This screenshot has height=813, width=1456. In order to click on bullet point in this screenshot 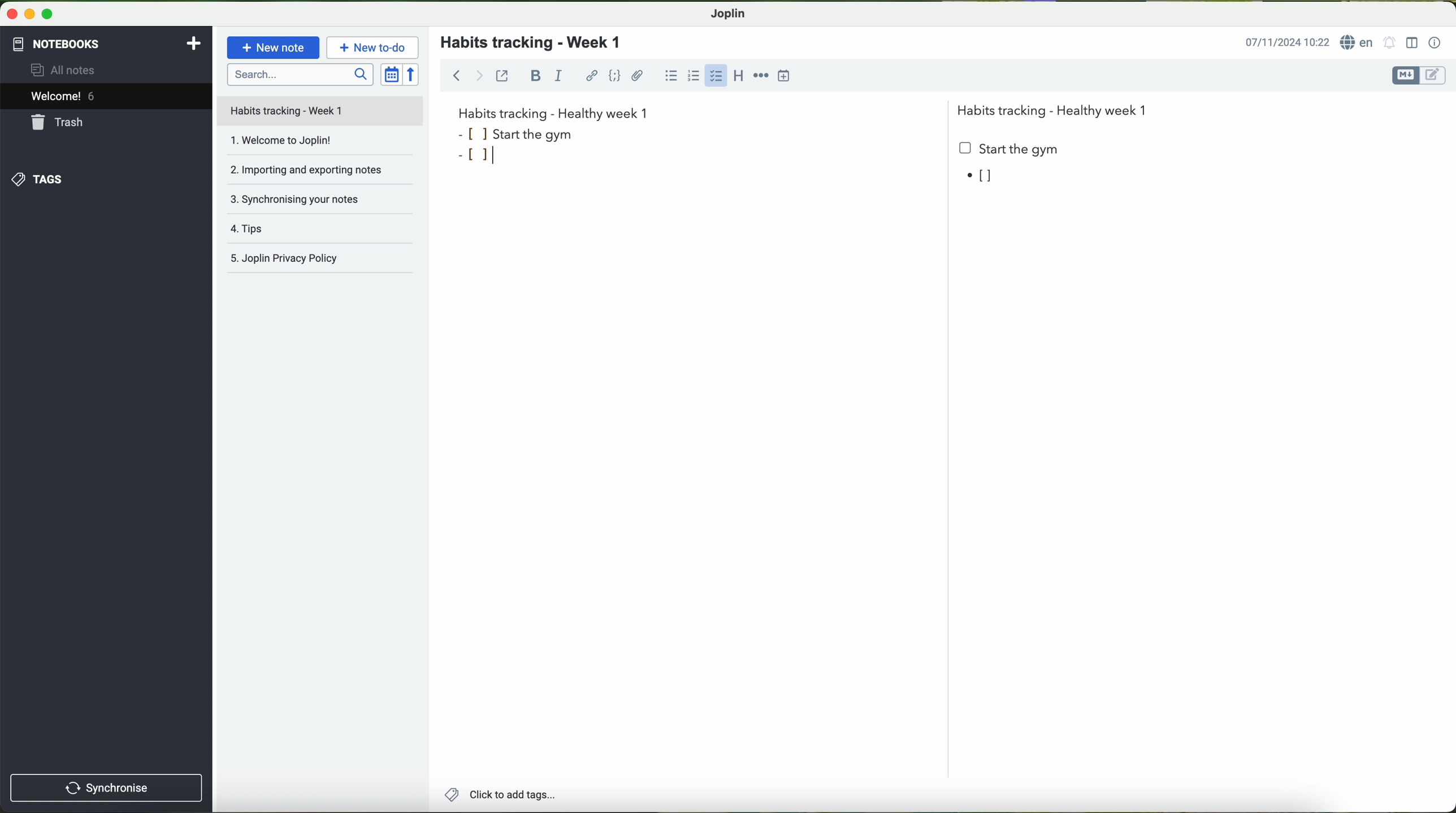, I will do `click(476, 158)`.